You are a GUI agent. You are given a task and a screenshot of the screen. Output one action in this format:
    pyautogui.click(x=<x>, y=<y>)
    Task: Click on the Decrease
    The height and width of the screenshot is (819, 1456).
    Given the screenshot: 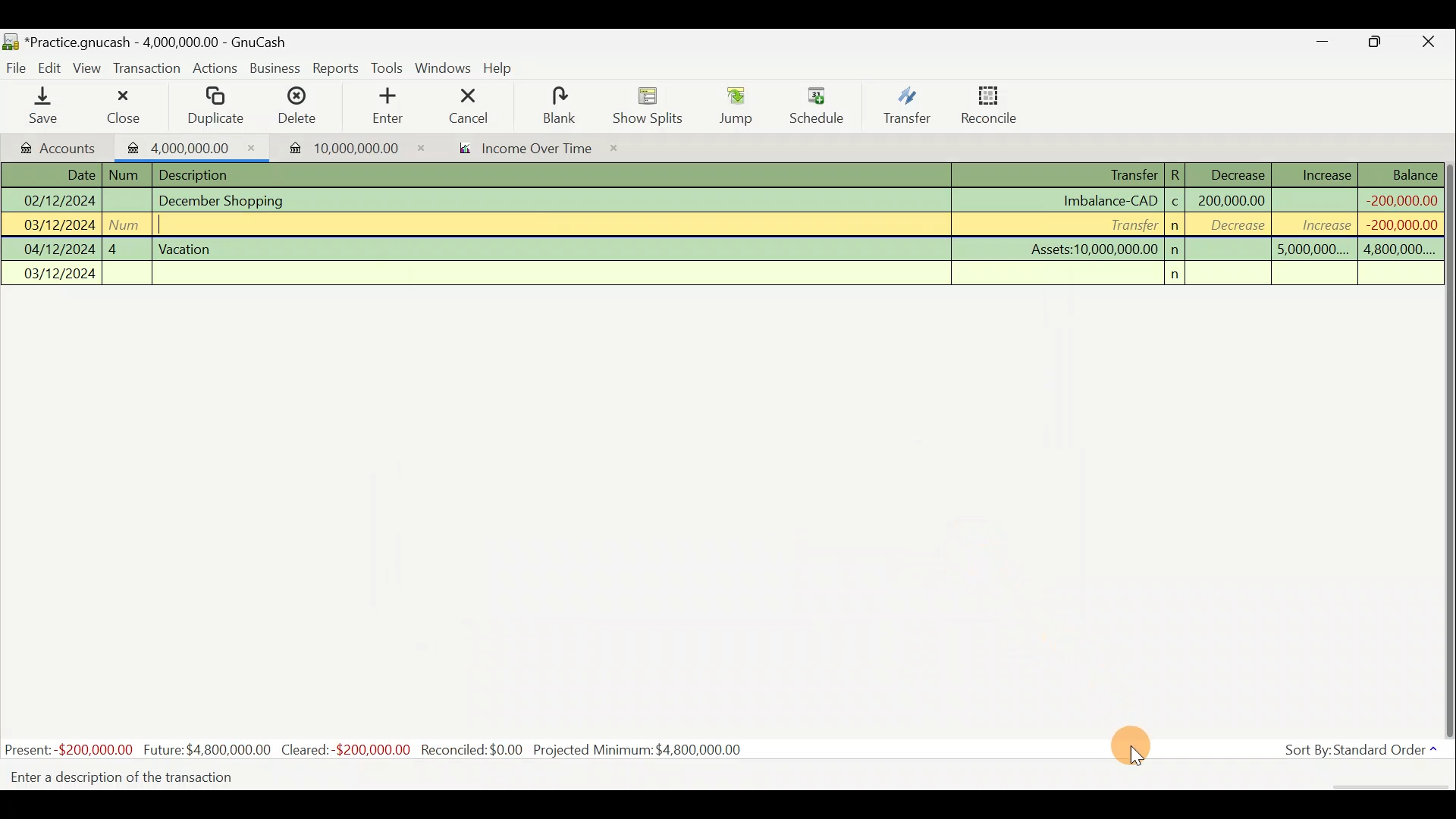 What is the action you would take?
    pyautogui.click(x=1237, y=174)
    